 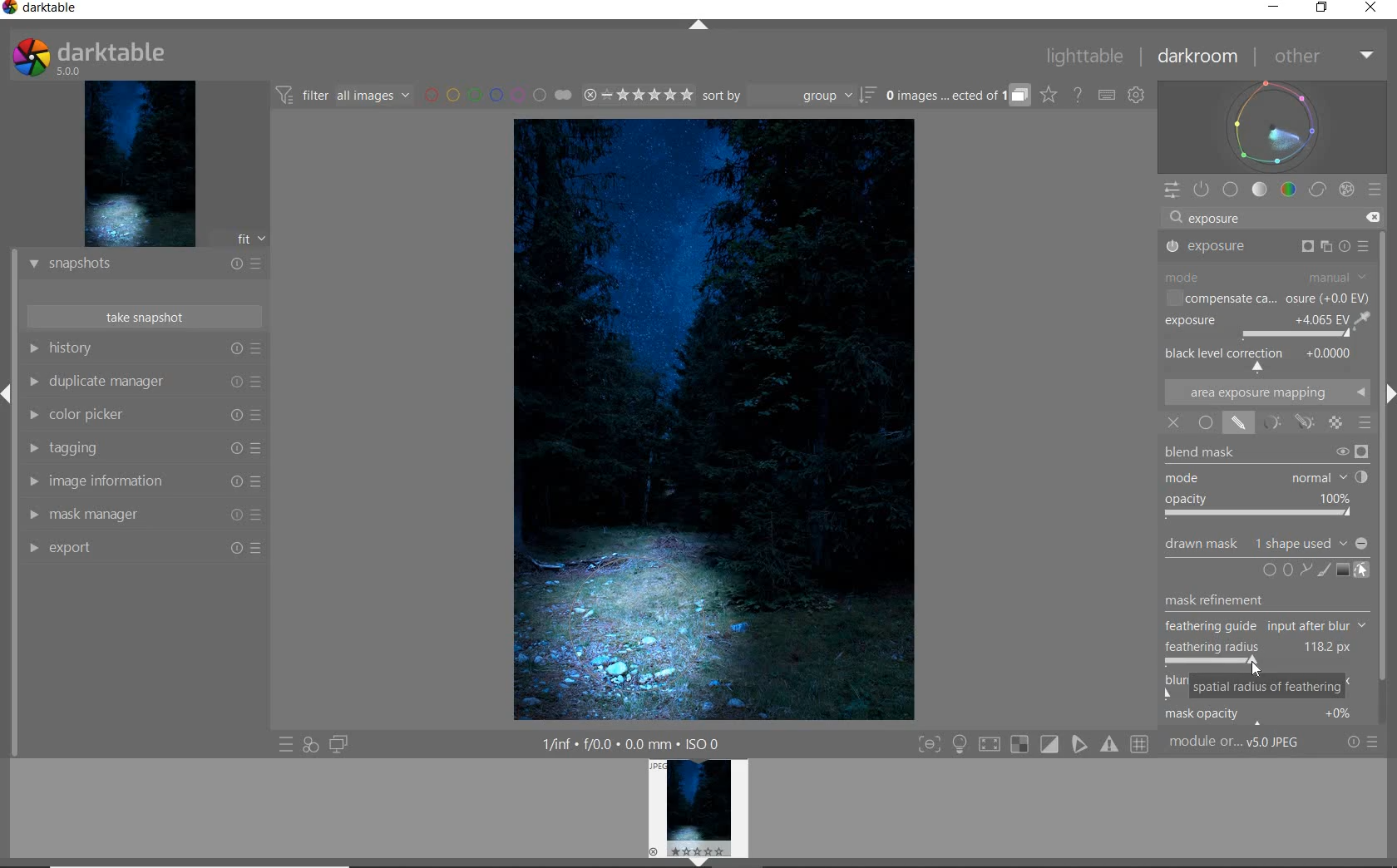 I want to click on CIRCLE ADDED, so click(x=634, y=629).